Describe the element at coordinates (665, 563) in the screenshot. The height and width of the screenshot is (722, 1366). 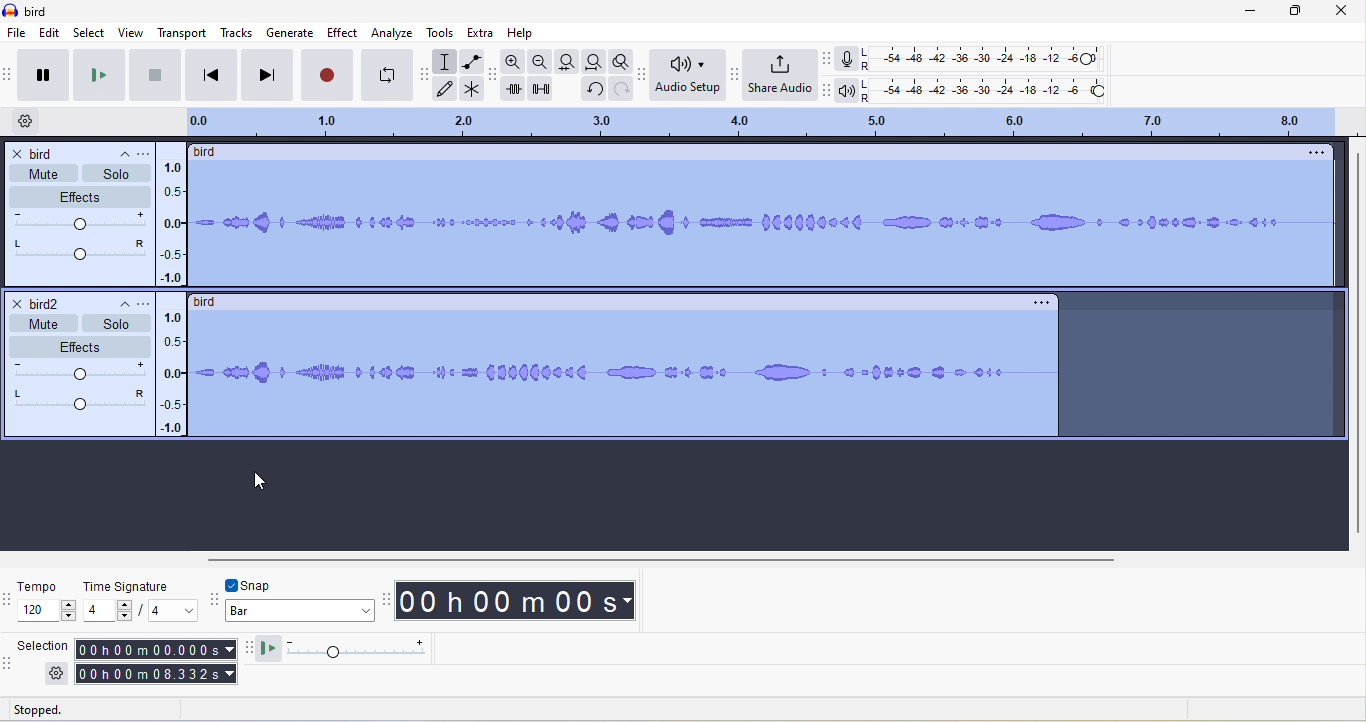
I see `horizontal scroll bar` at that location.